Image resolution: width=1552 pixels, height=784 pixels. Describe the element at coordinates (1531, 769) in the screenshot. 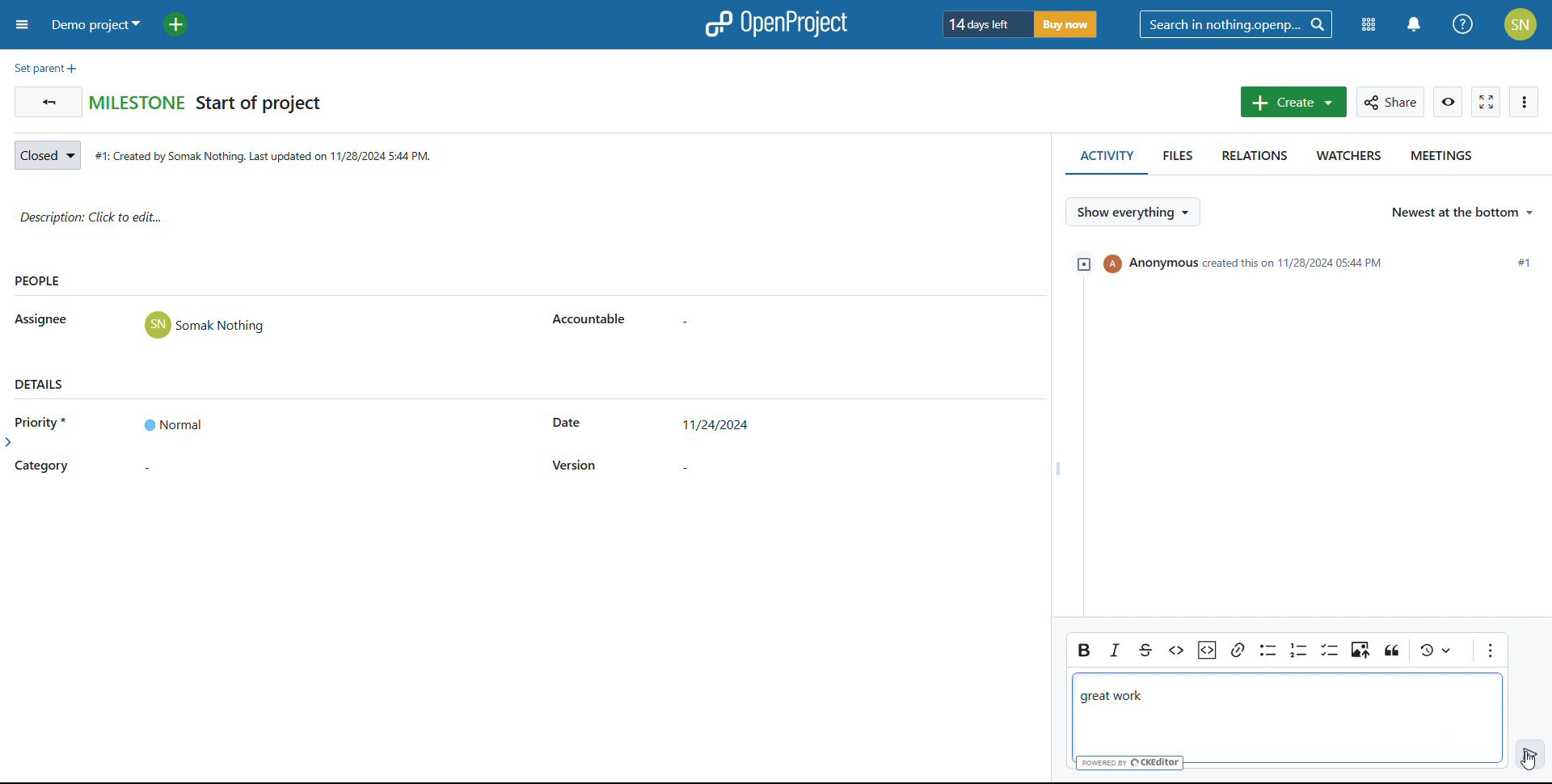

I see `cursor` at that location.